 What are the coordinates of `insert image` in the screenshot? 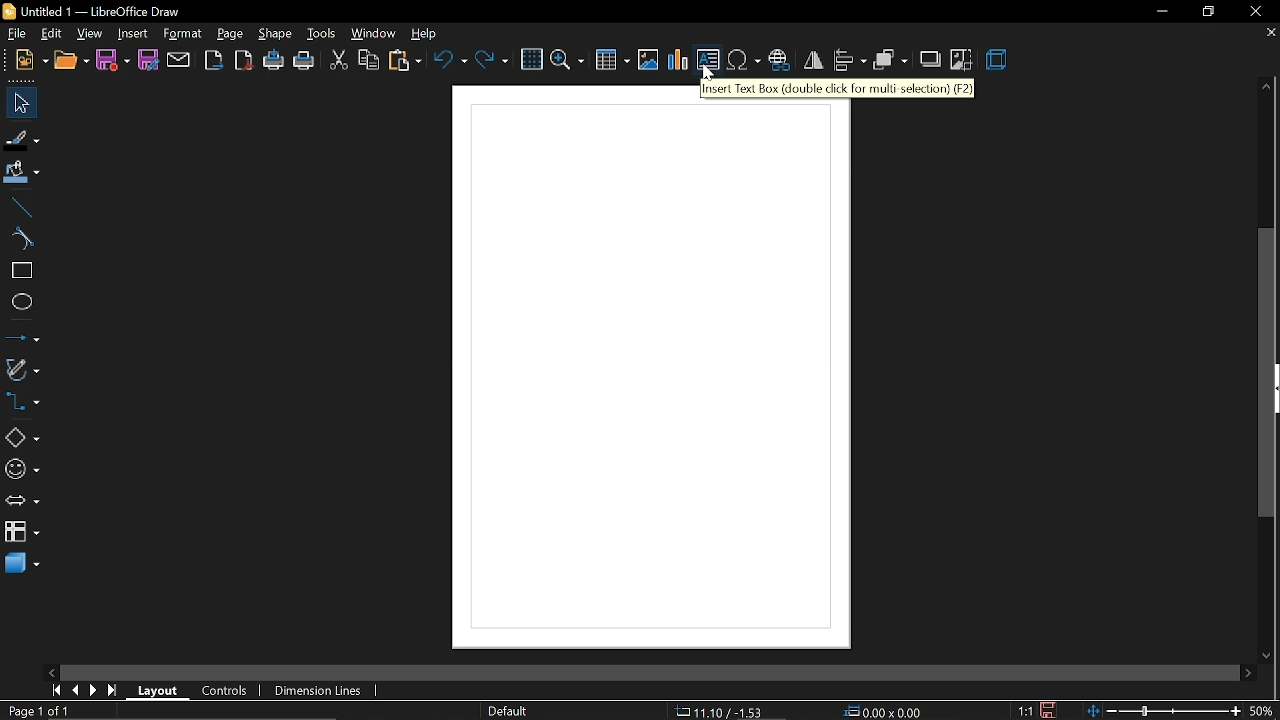 It's located at (648, 61).